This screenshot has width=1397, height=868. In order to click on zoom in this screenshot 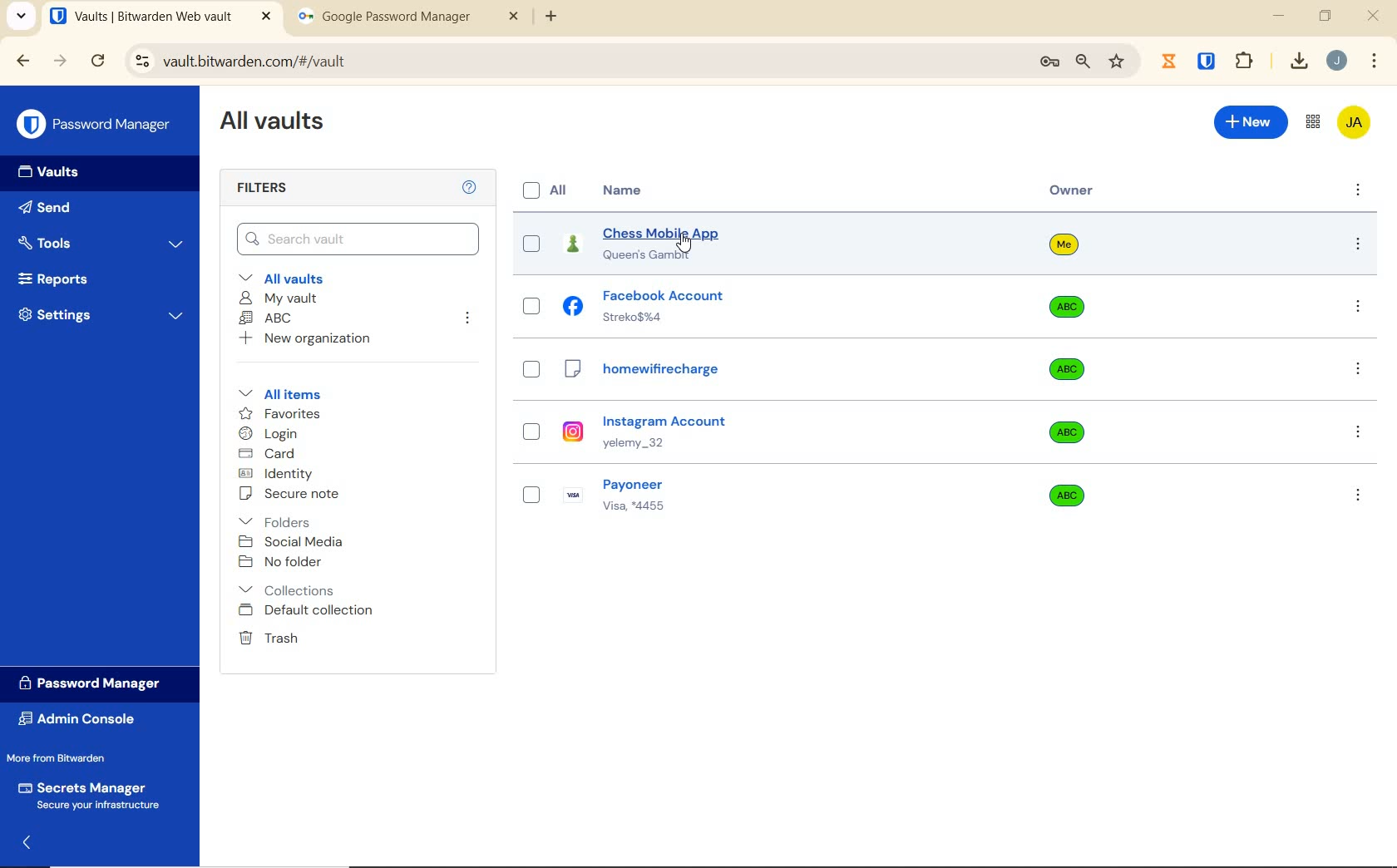, I will do `click(1081, 62)`.